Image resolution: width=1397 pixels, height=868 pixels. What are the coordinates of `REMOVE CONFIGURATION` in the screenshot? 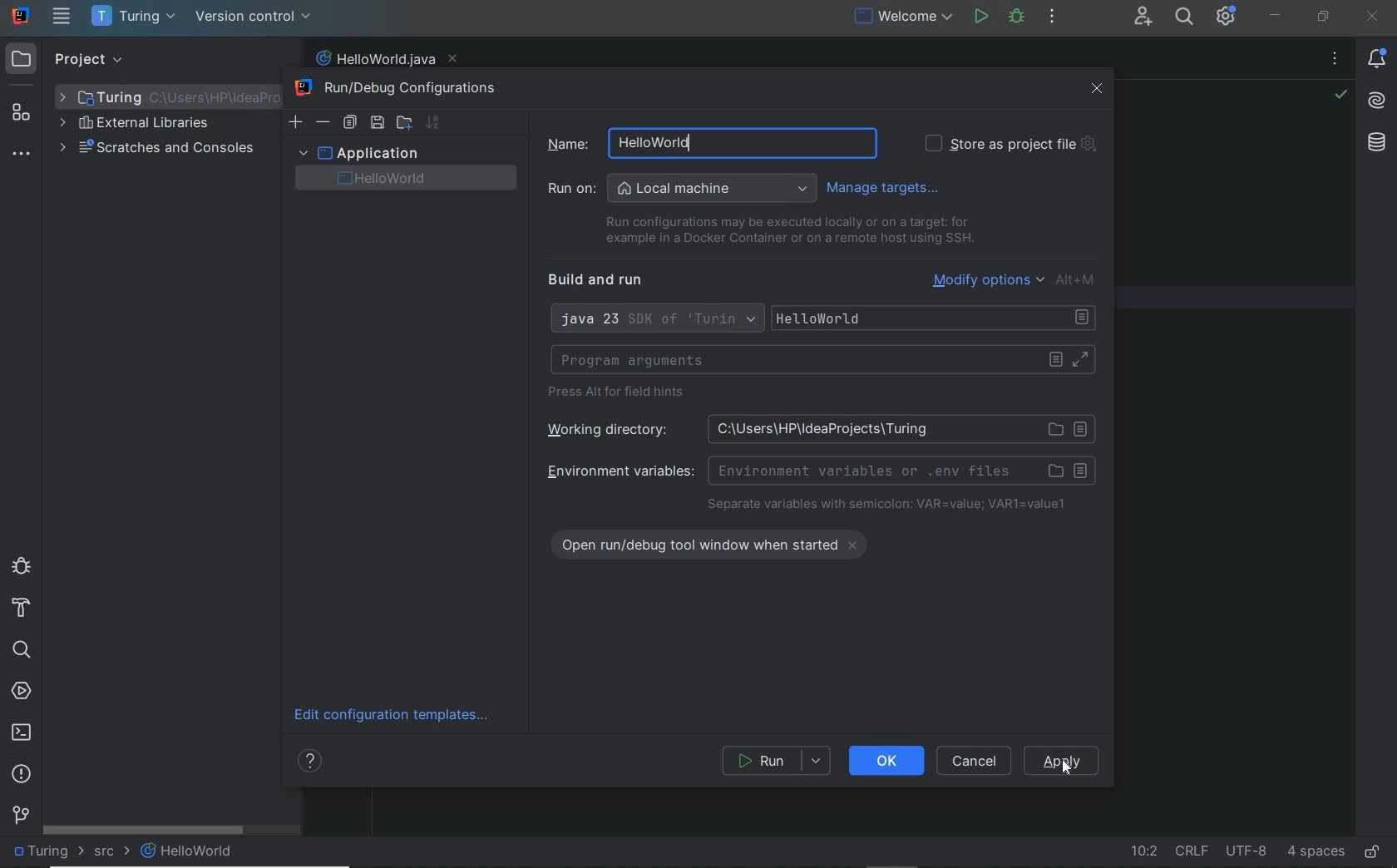 It's located at (323, 122).